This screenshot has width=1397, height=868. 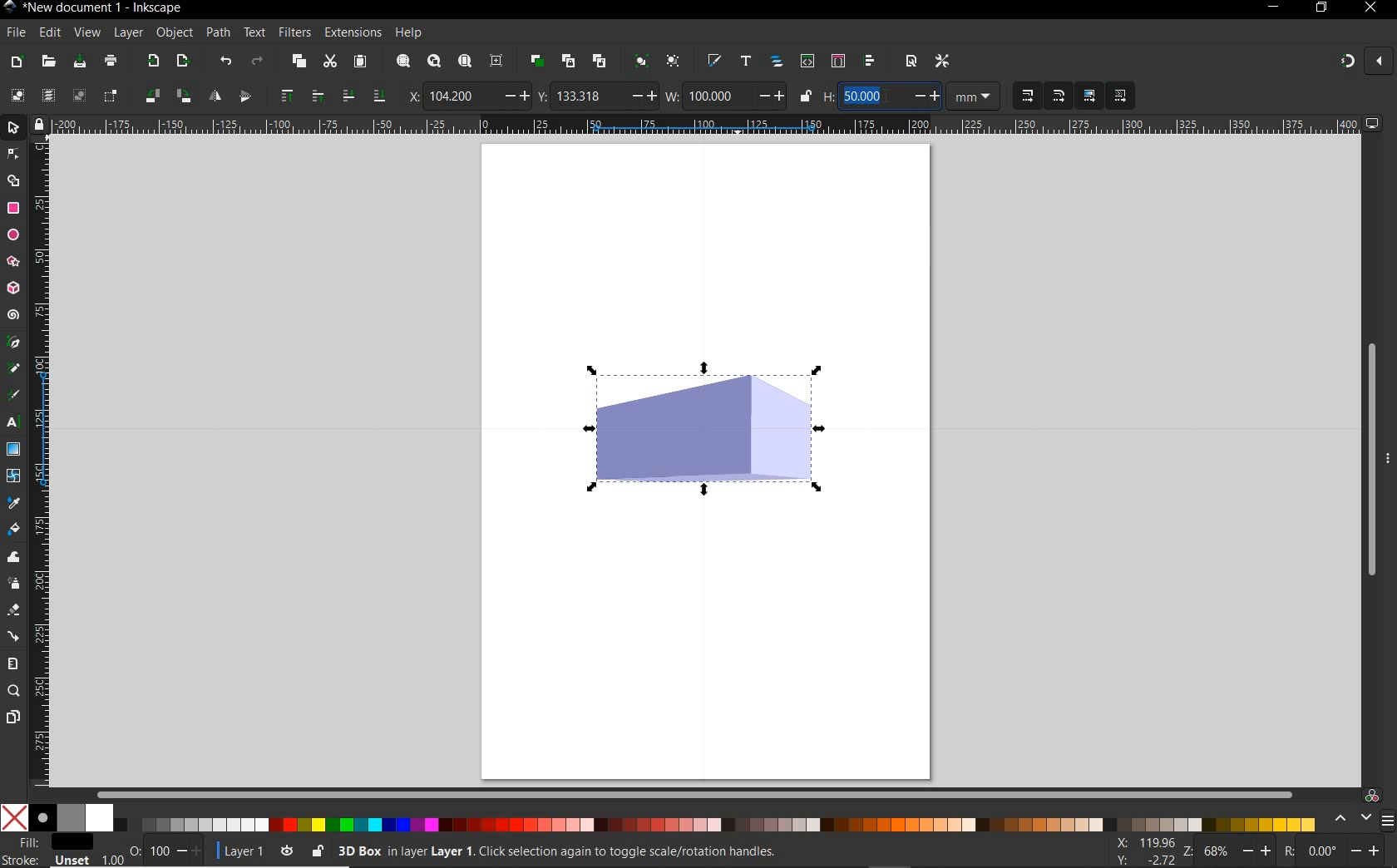 What do you see at coordinates (151, 96) in the screenshot?
I see `object rotate` at bounding box center [151, 96].